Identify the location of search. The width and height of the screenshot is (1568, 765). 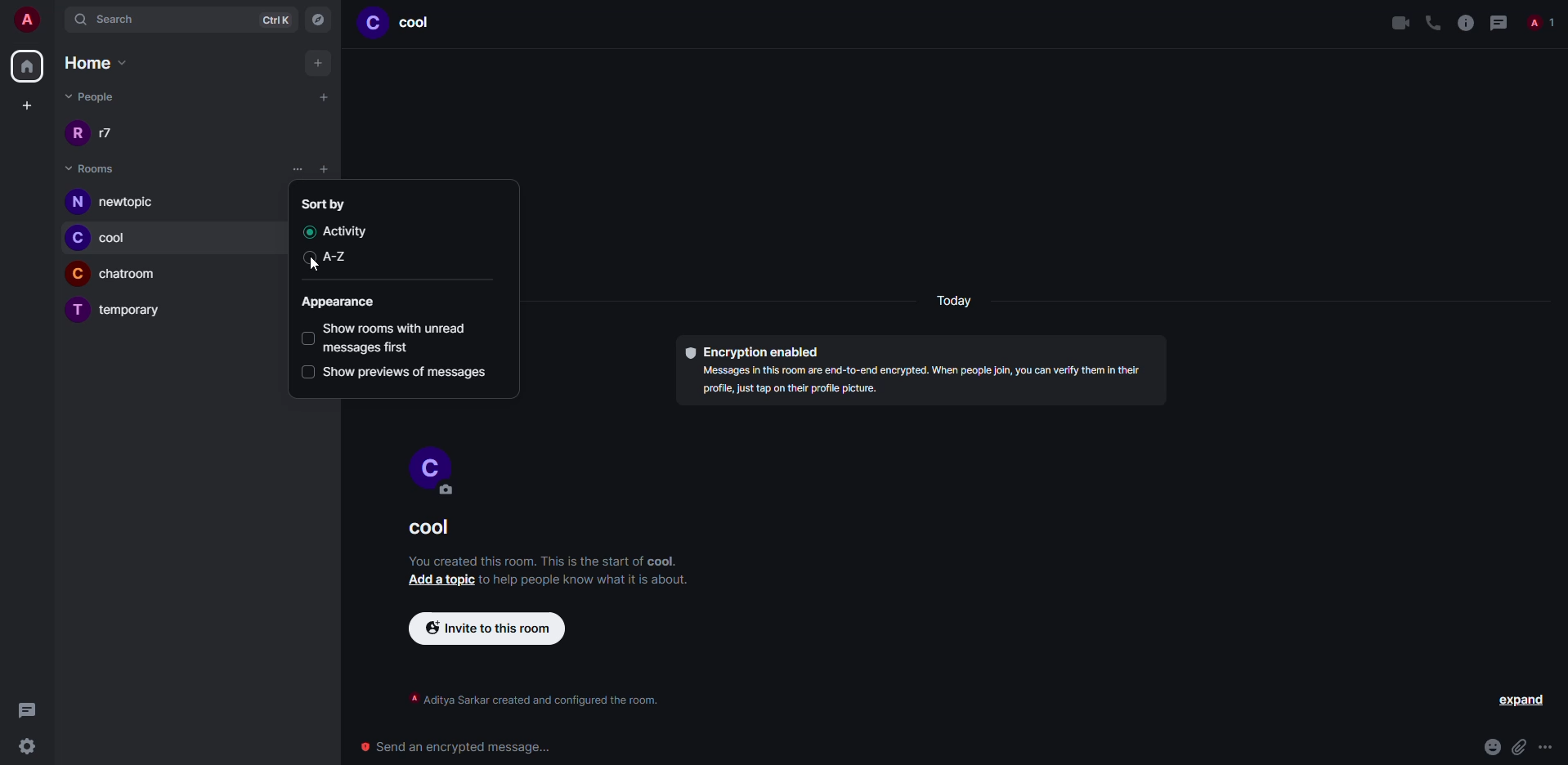
(121, 20).